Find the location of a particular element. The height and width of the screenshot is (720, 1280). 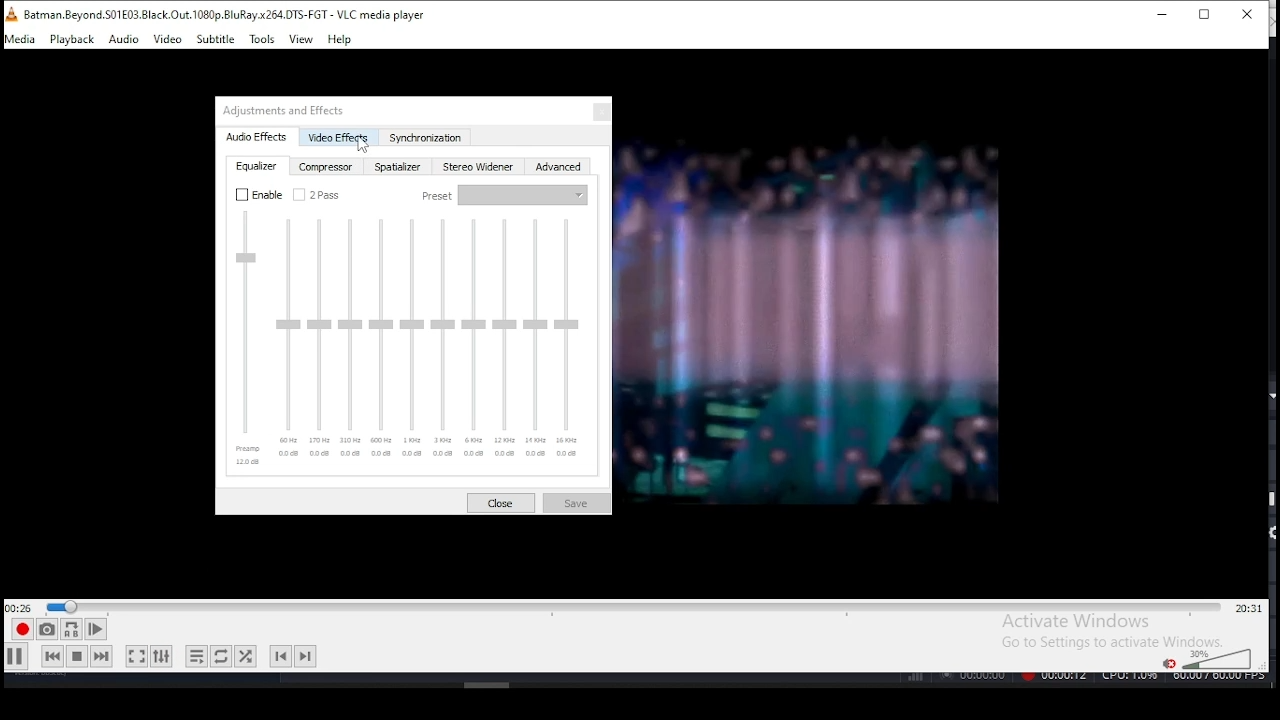

take snapshot is located at coordinates (44, 632).